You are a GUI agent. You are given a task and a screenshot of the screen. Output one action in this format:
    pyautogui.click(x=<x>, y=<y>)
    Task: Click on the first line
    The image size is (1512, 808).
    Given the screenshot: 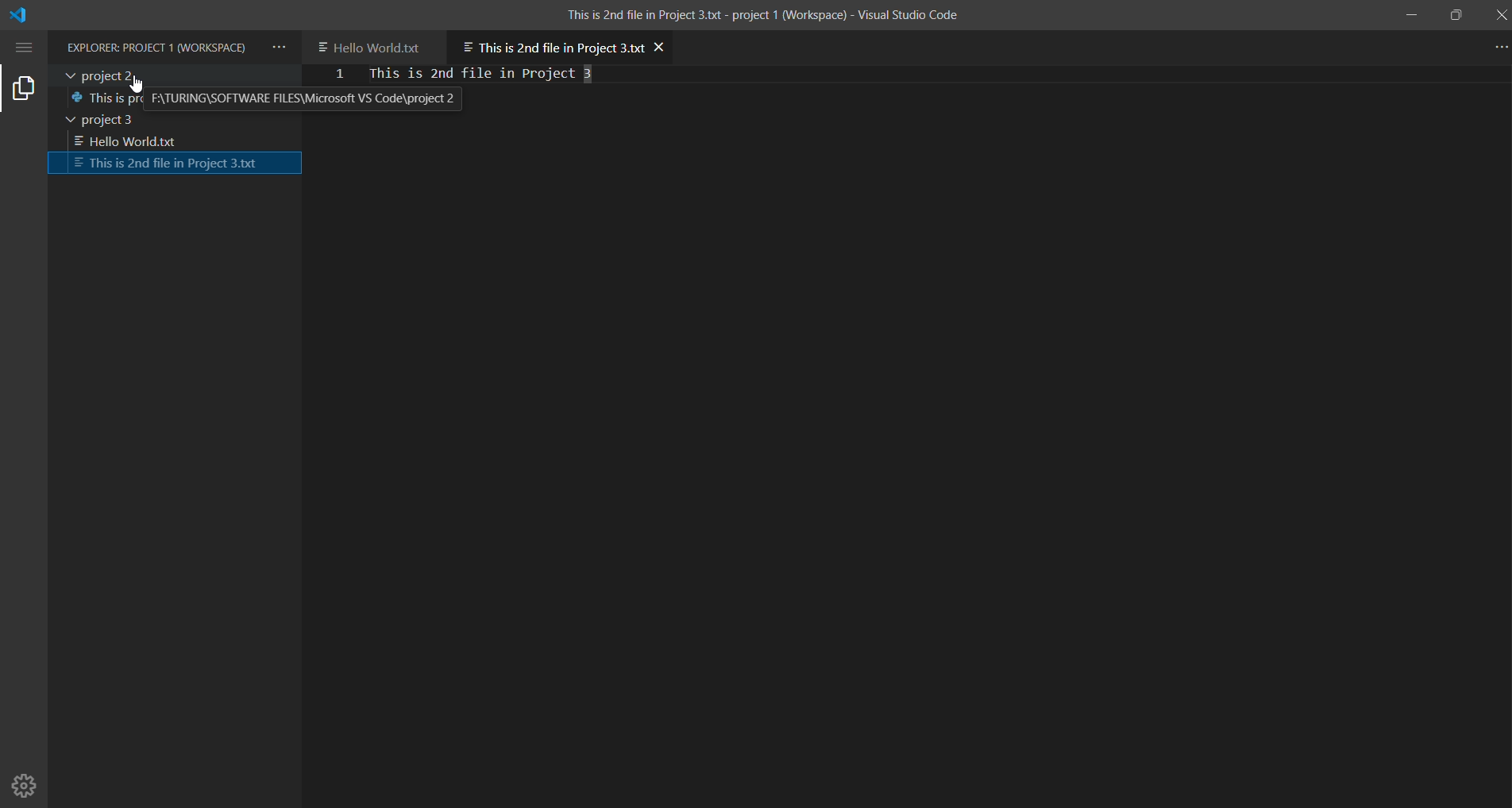 What is the action you would take?
    pyautogui.click(x=340, y=76)
    